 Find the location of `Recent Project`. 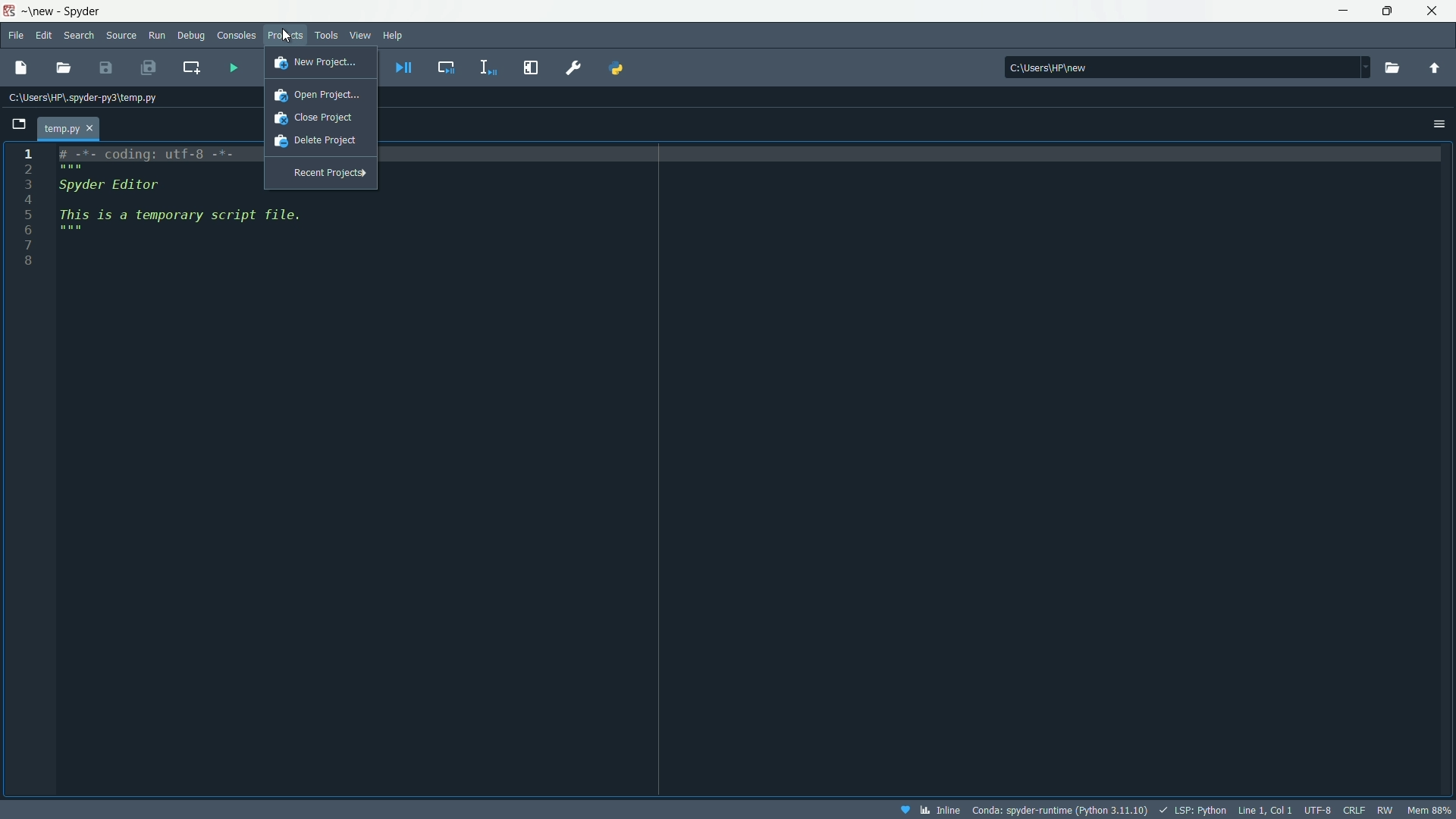

Recent Project is located at coordinates (324, 174).